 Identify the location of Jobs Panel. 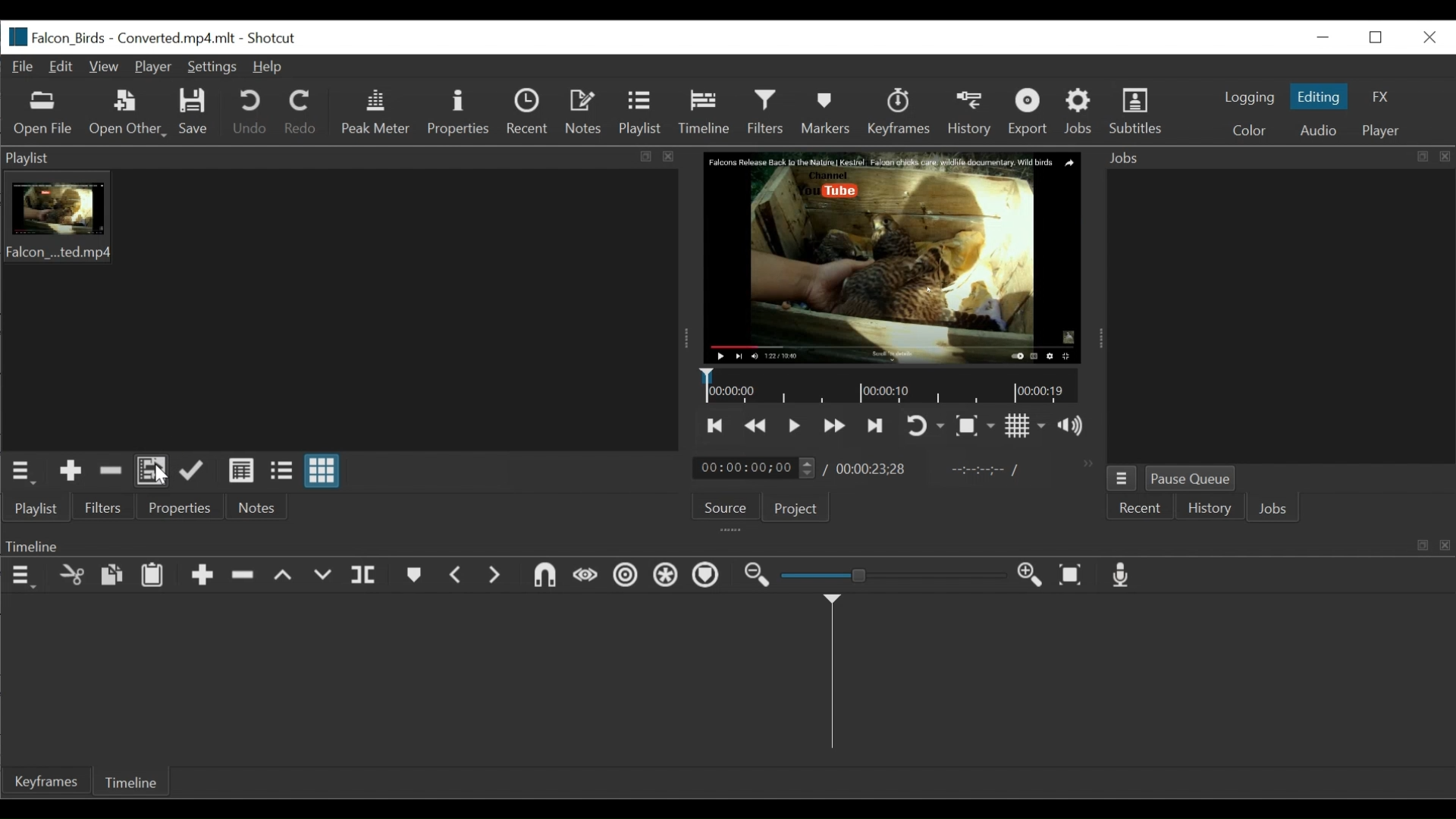
(1279, 316).